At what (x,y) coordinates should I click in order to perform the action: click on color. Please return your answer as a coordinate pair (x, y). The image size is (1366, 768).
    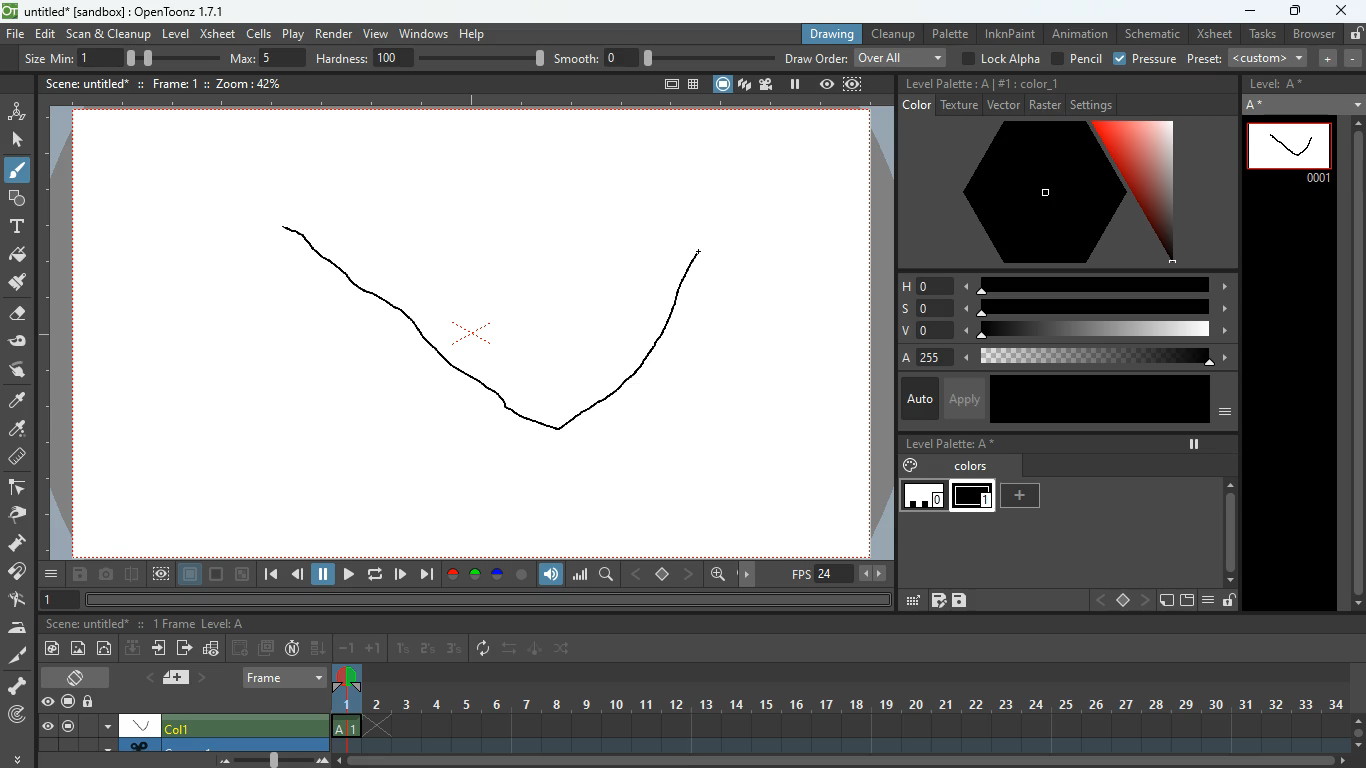
    Looking at the image, I should click on (1038, 82).